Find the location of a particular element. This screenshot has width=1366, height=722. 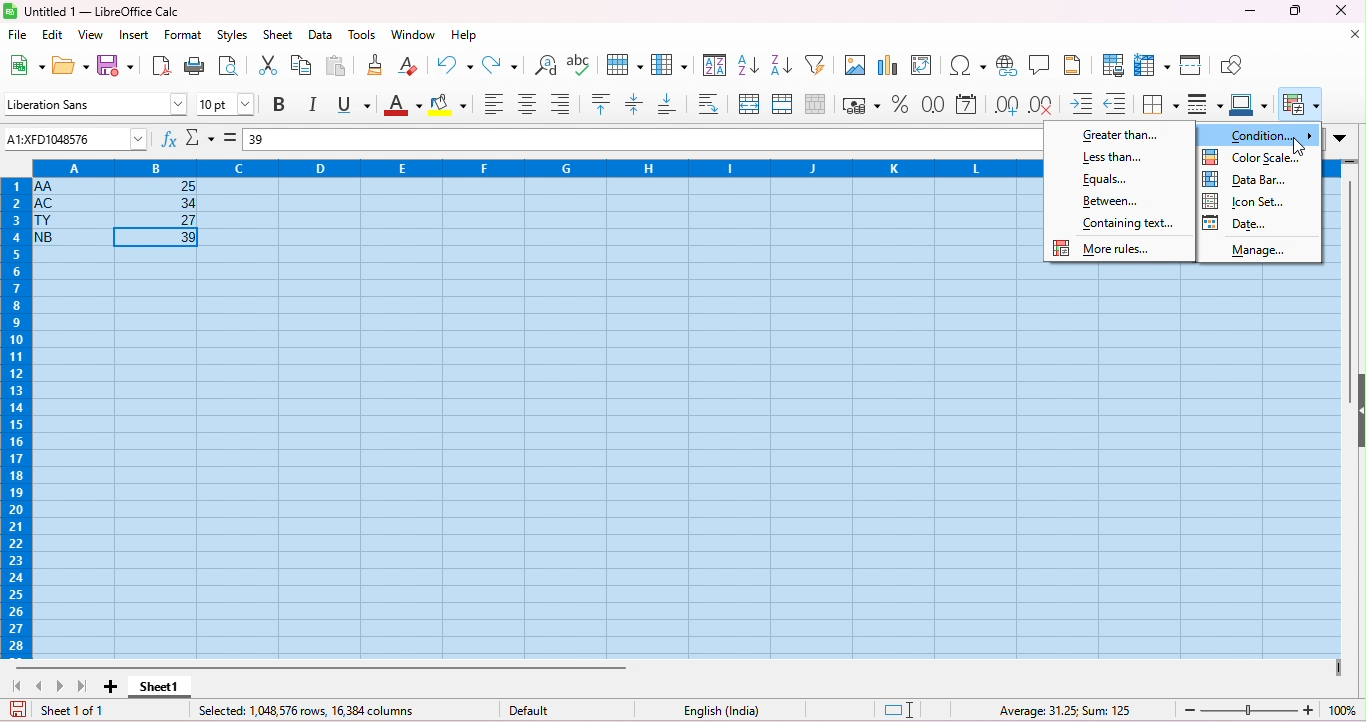

drag to view rows is located at coordinates (1351, 162).